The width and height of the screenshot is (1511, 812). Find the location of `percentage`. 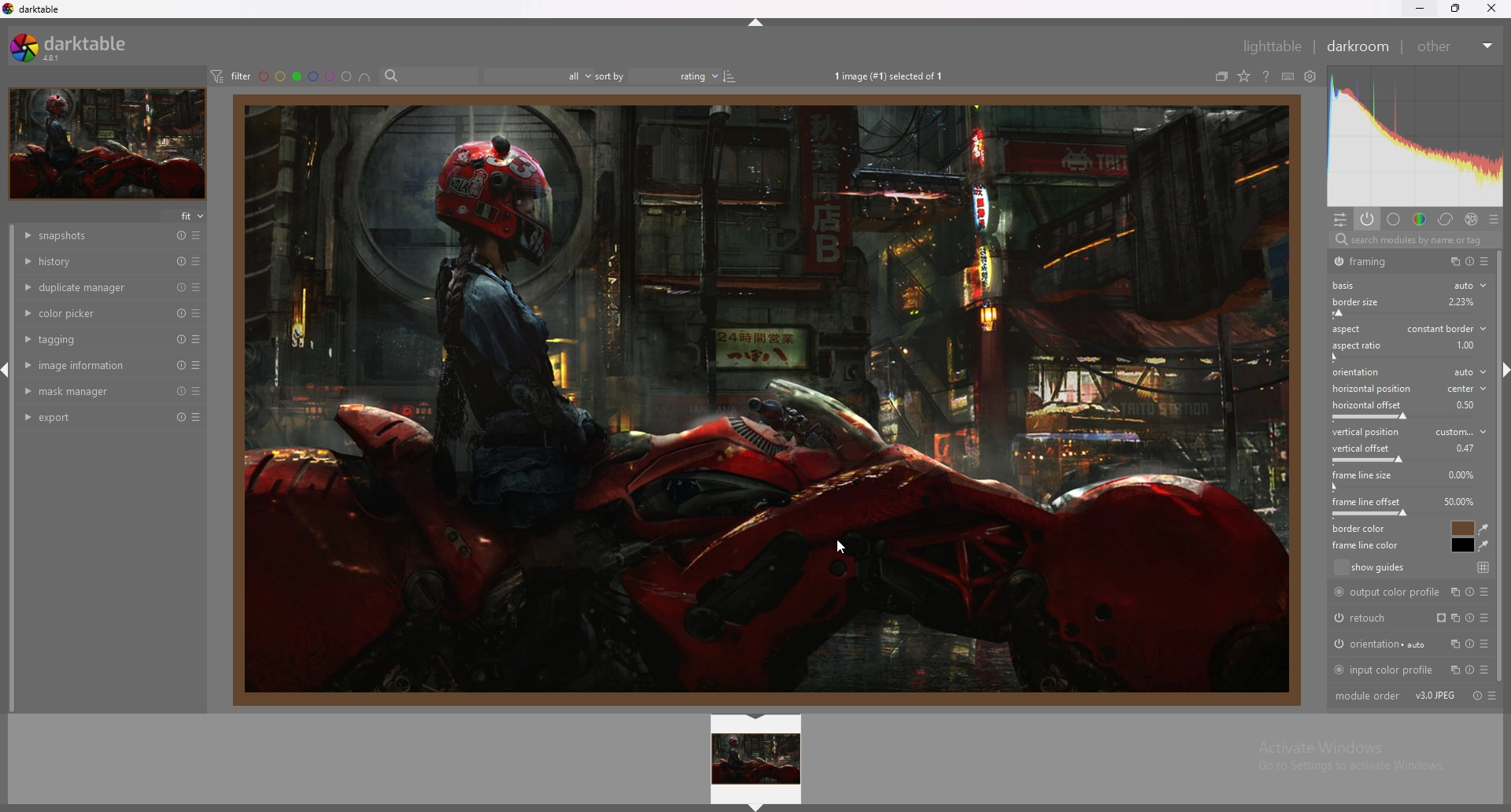

percentage is located at coordinates (1465, 447).